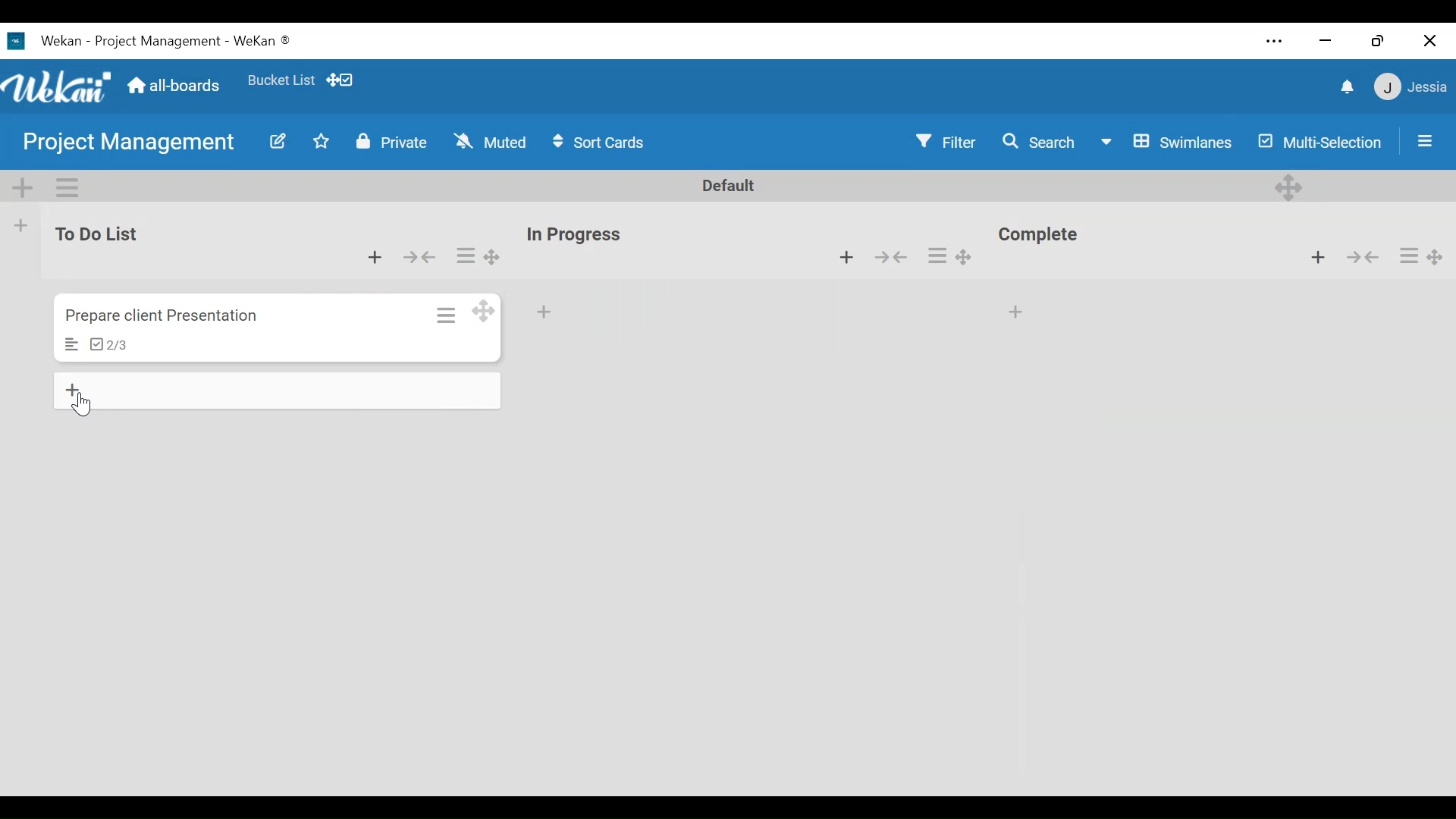  Describe the element at coordinates (1343, 86) in the screenshot. I see `notifications` at that location.